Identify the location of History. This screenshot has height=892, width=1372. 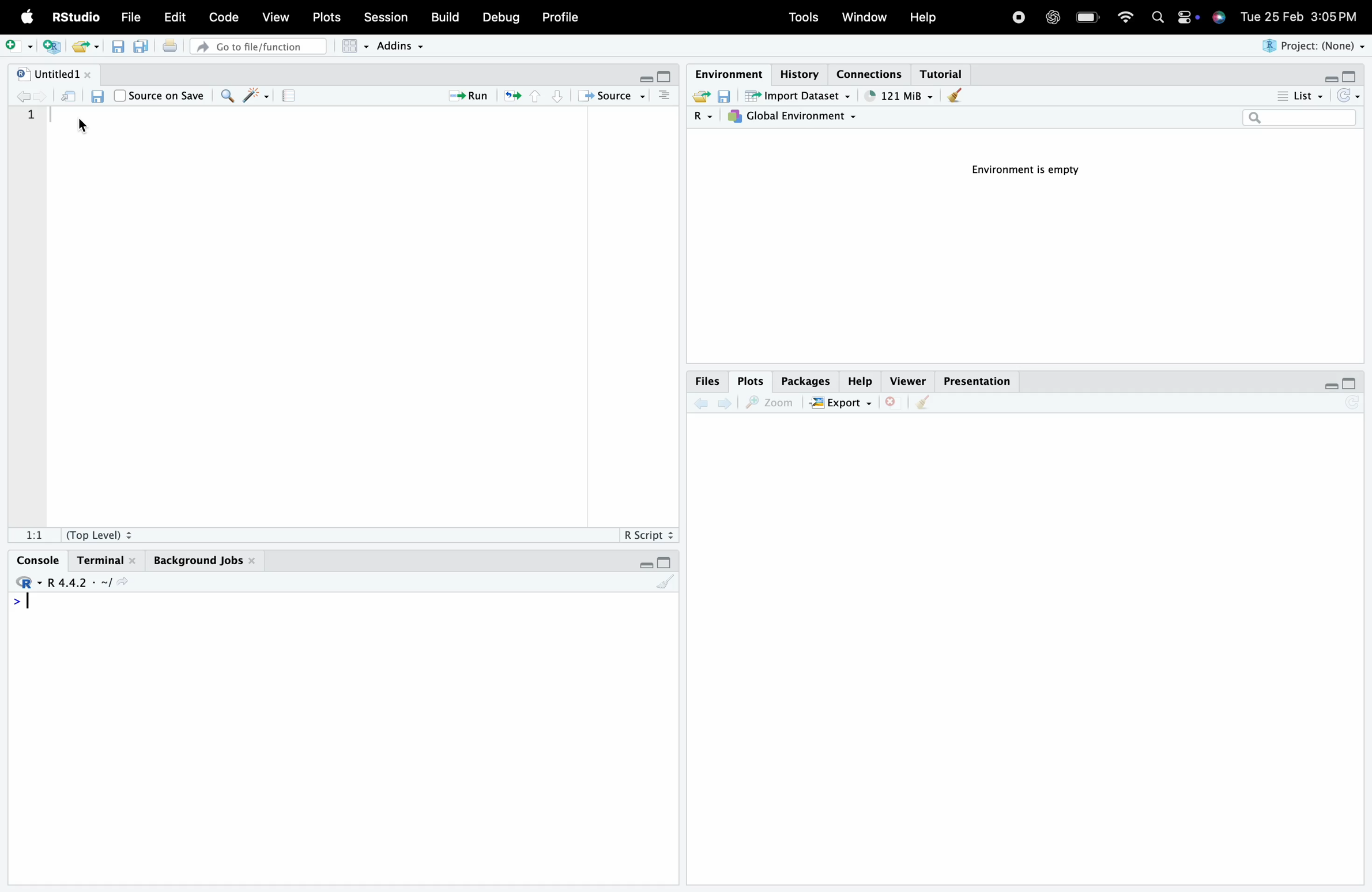
(798, 72).